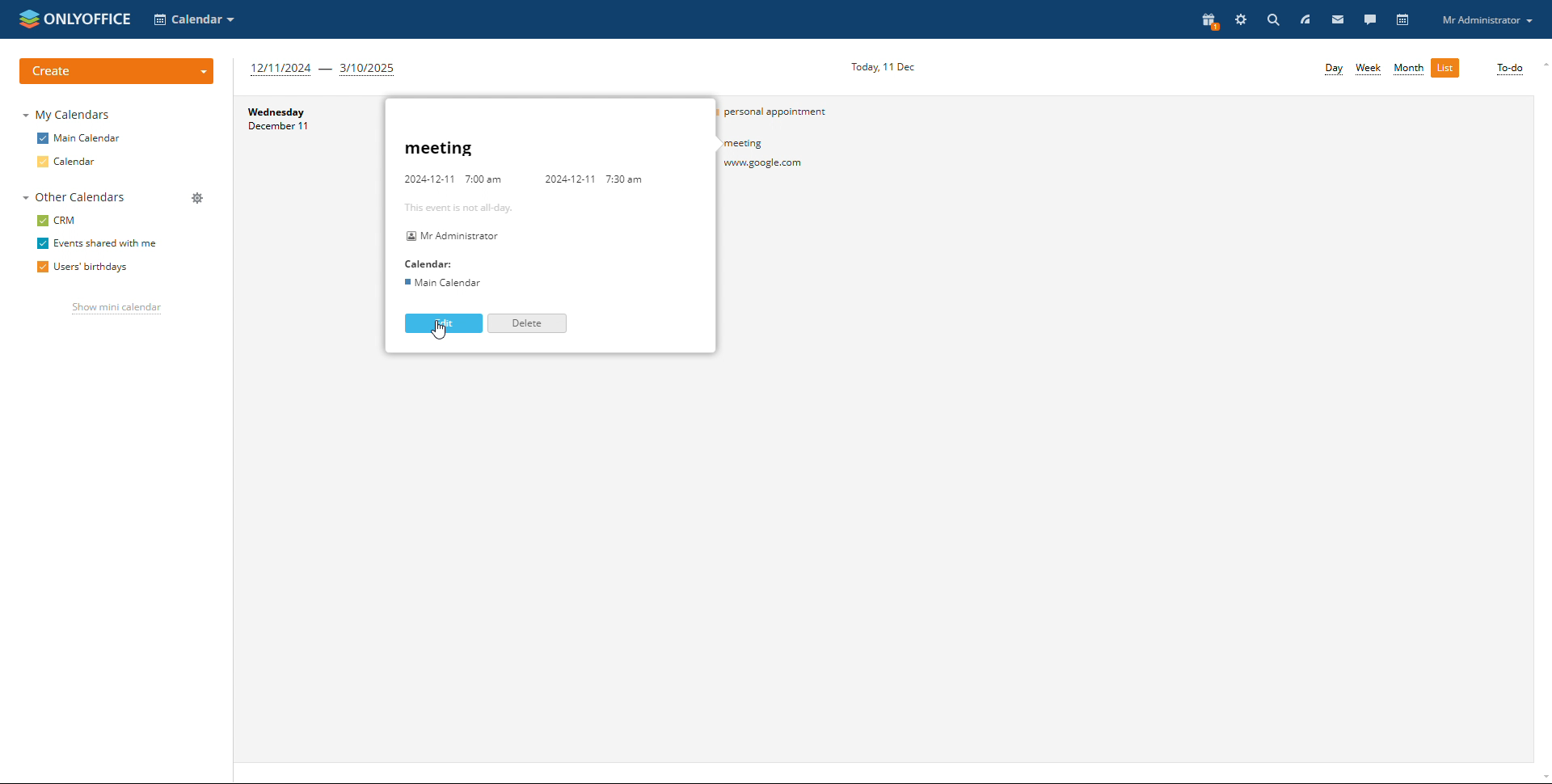  What do you see at coordinates (1409, 70) in the screenshot?
I see `month view` at bounding box center [1409, 70].